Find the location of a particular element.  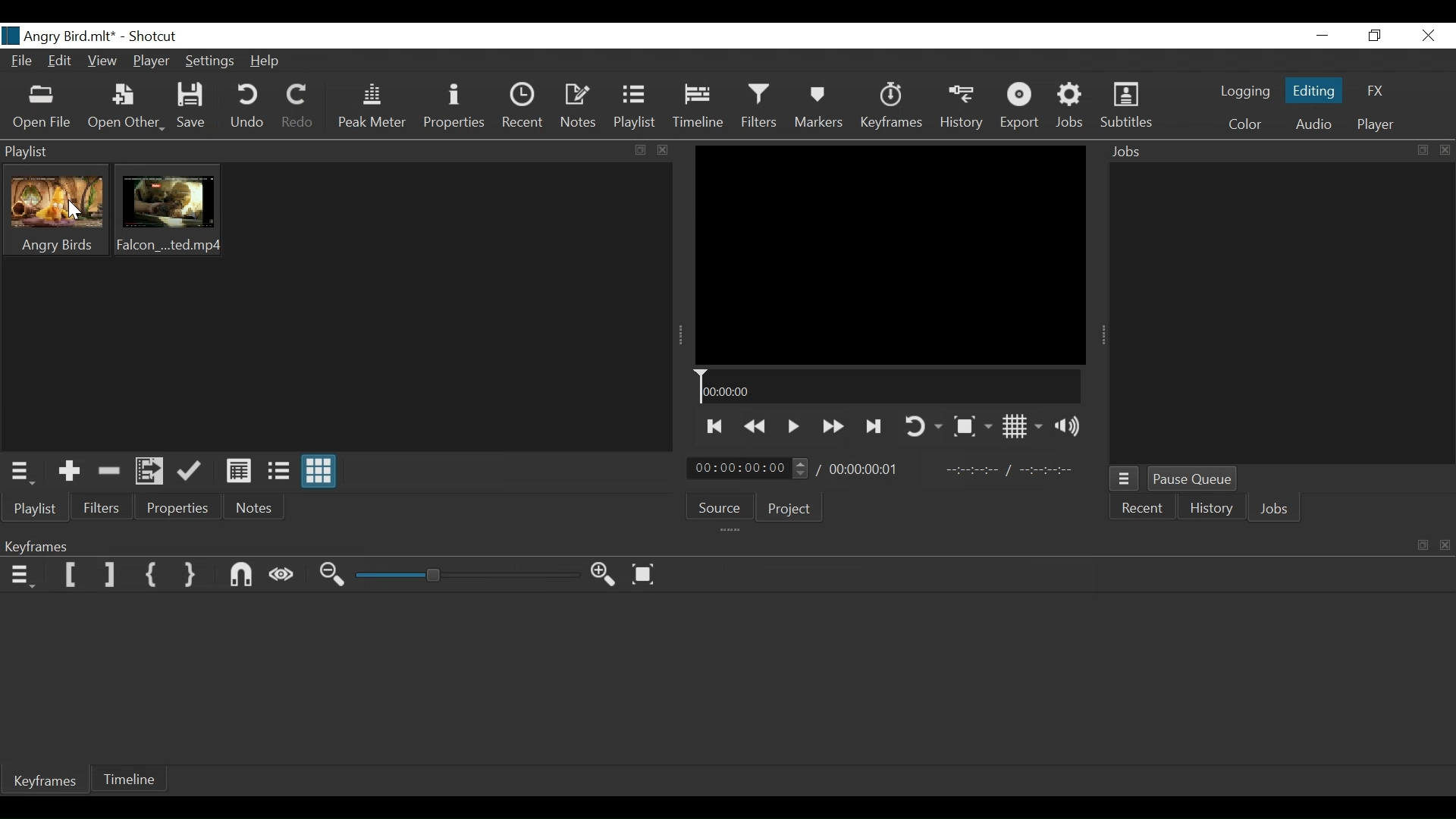

Source is located at coordinates (720, 507).